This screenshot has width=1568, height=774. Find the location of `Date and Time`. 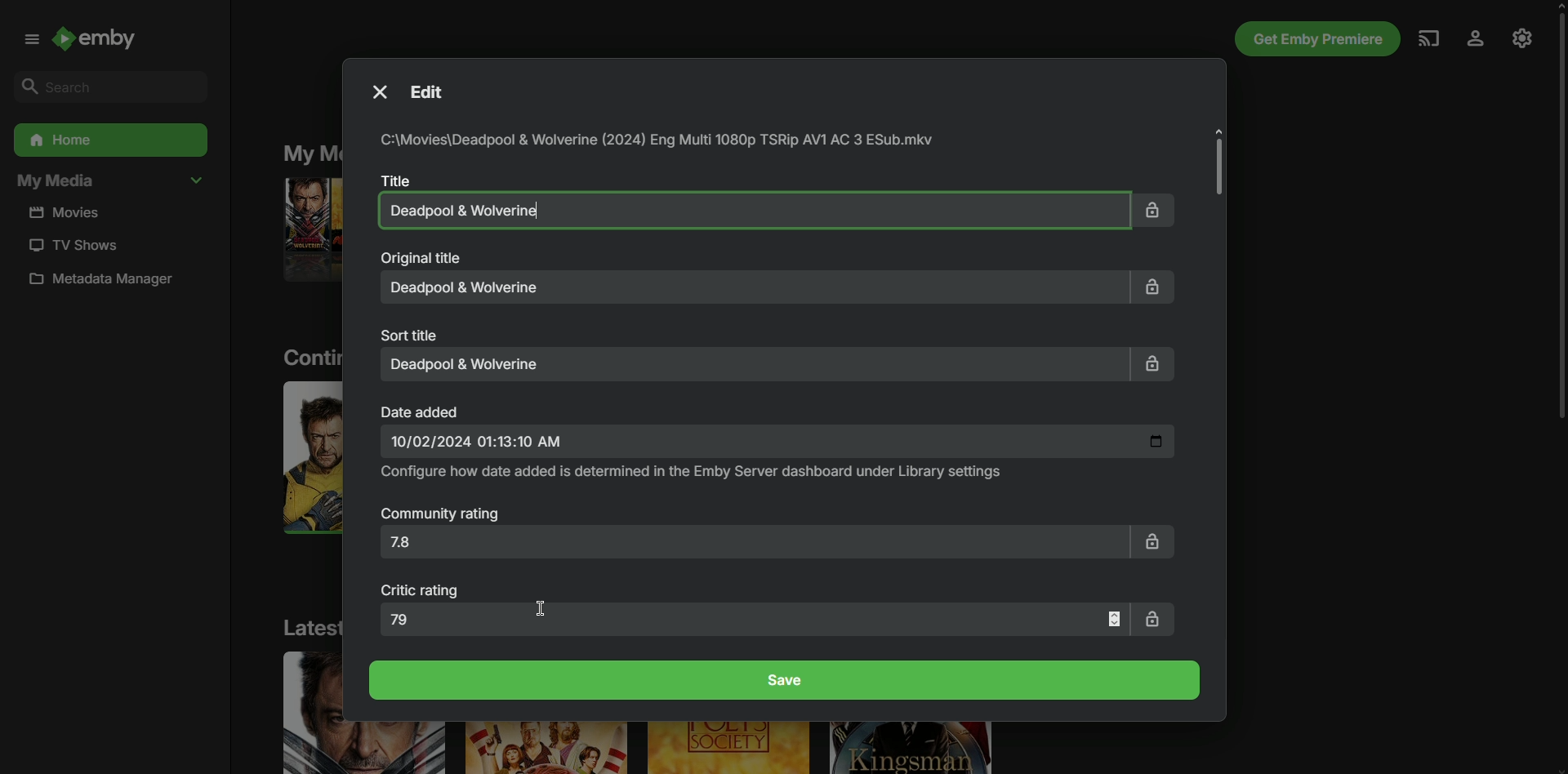

Date and Time is located at coordinates (777, 443).